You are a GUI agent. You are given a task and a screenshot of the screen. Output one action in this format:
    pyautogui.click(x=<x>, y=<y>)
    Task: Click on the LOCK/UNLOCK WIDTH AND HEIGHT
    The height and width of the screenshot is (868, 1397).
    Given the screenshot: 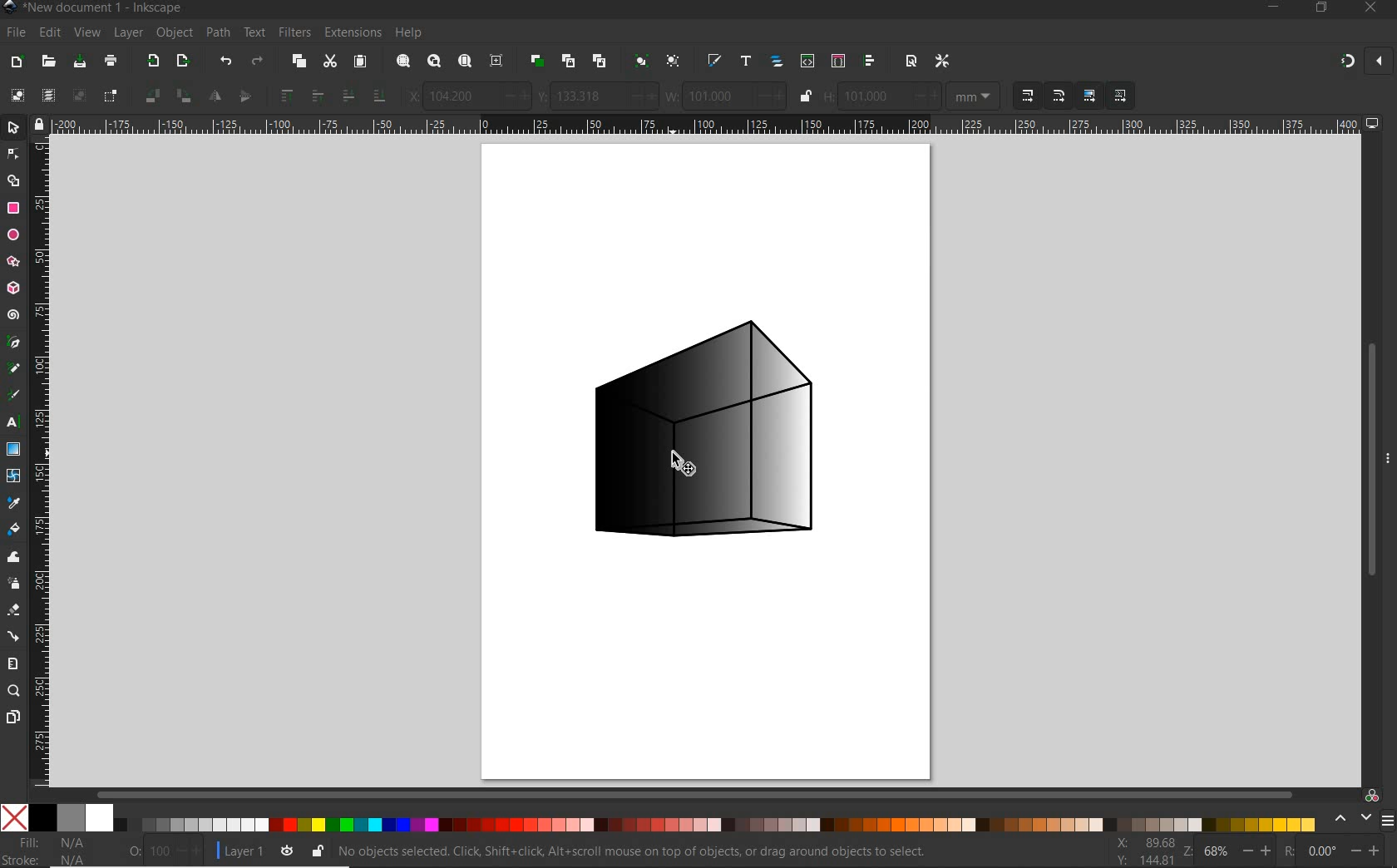 What is the action you would take?
    pyautogui.click(x=805, y=96)
    